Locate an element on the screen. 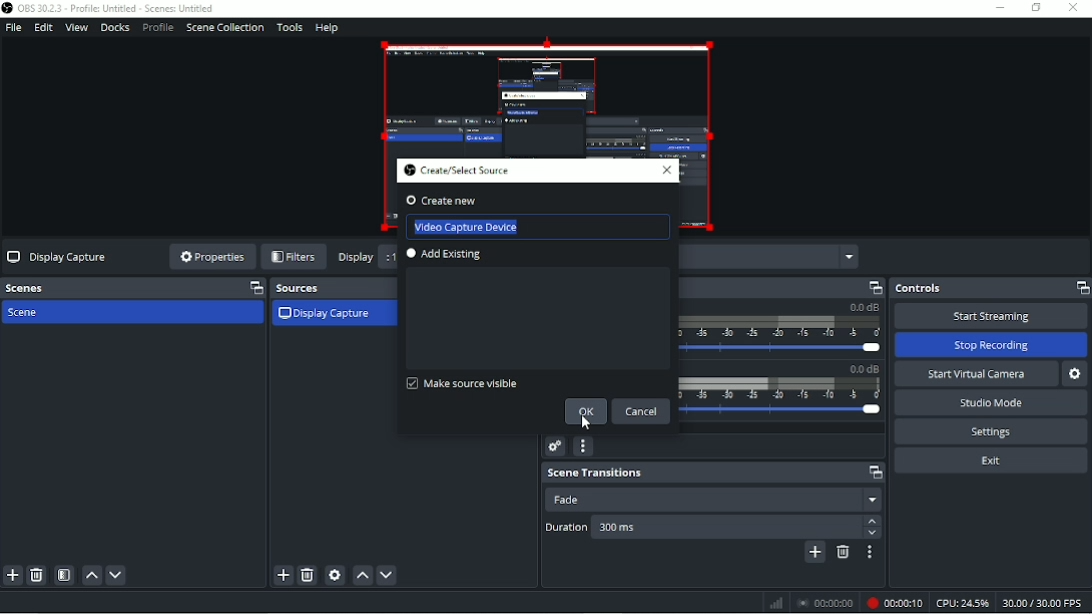  Desktop Audio Slidder is located at coordinates (778, 329).